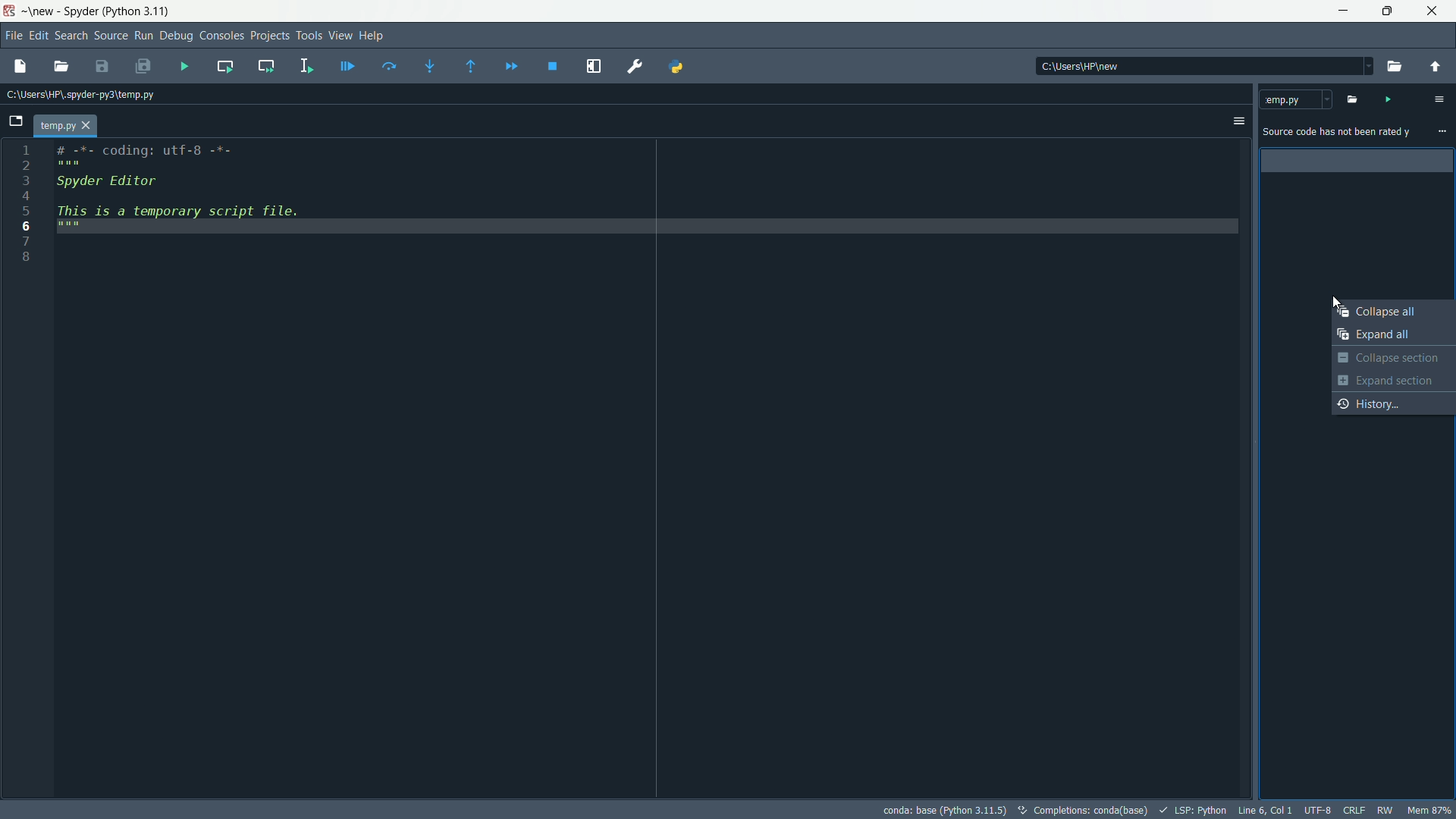  I want to click on edit menu, so click(38, 37).